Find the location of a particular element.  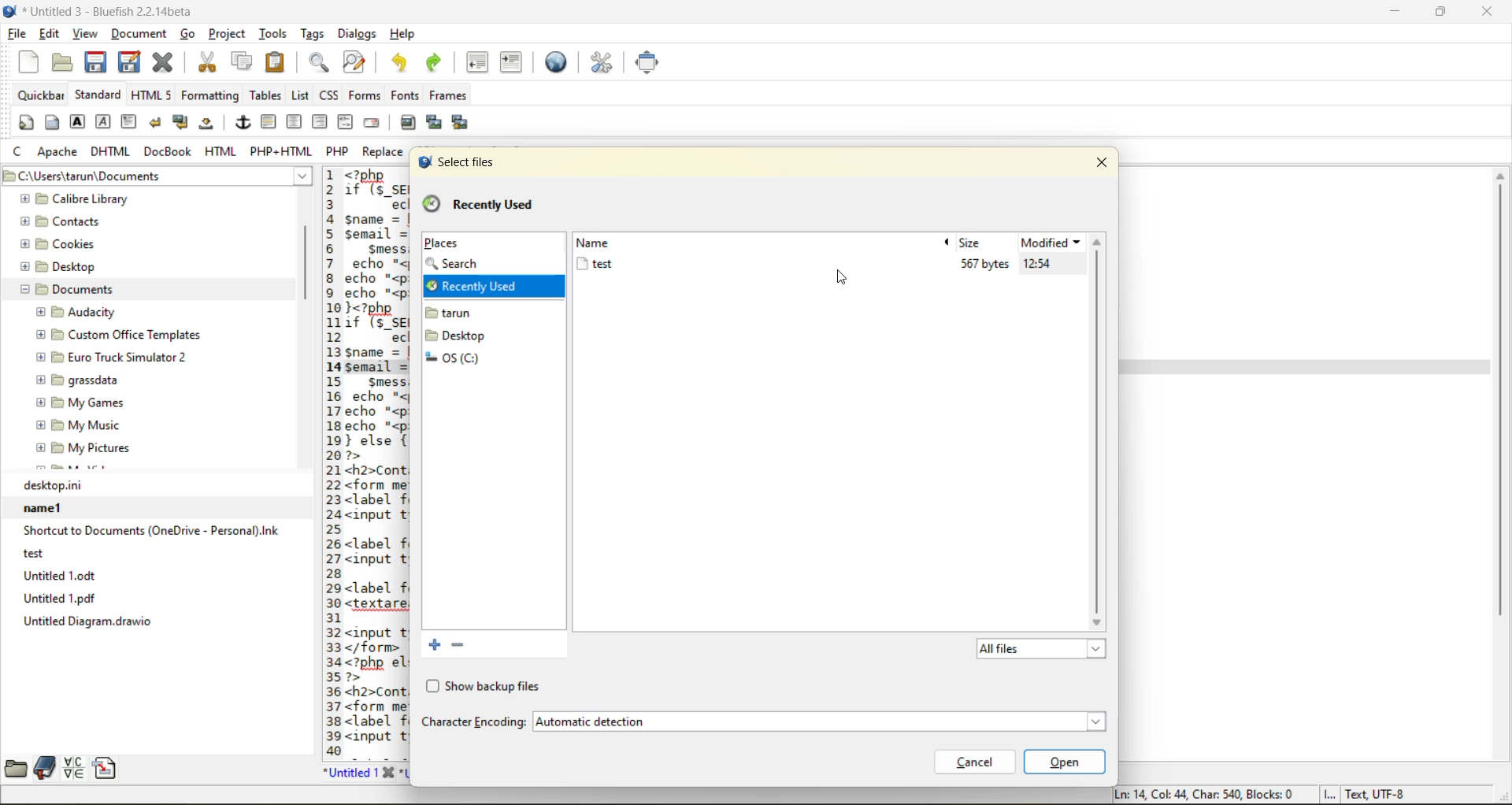

copy is located at coordinates (240, 62).